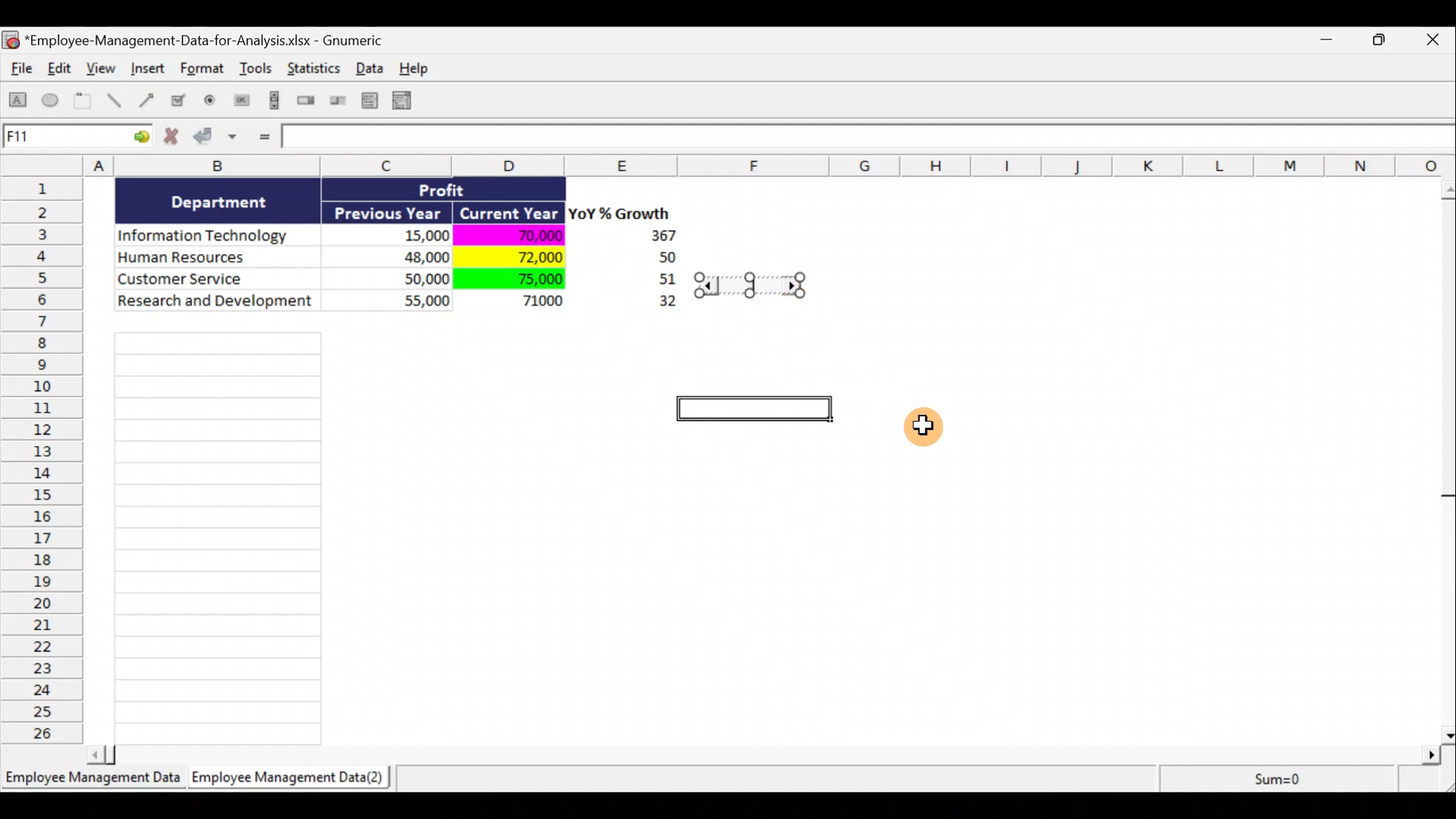 This screenshot has height=819, width=1456. Describe the element at coordinates (211, 102) in the screenshot. I see `Create a radio button` at that location.